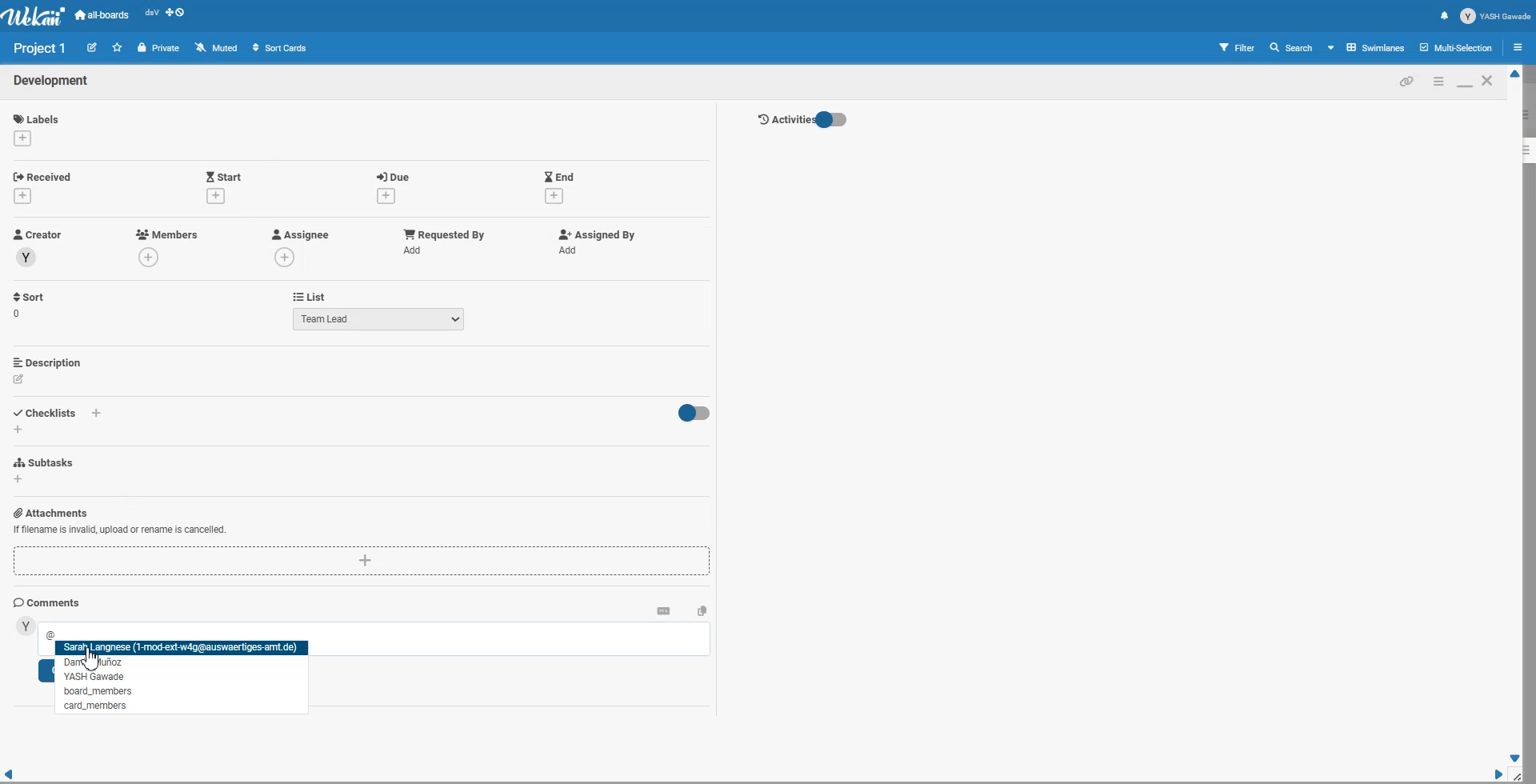  I want to click on Edit, so click(92, 46).